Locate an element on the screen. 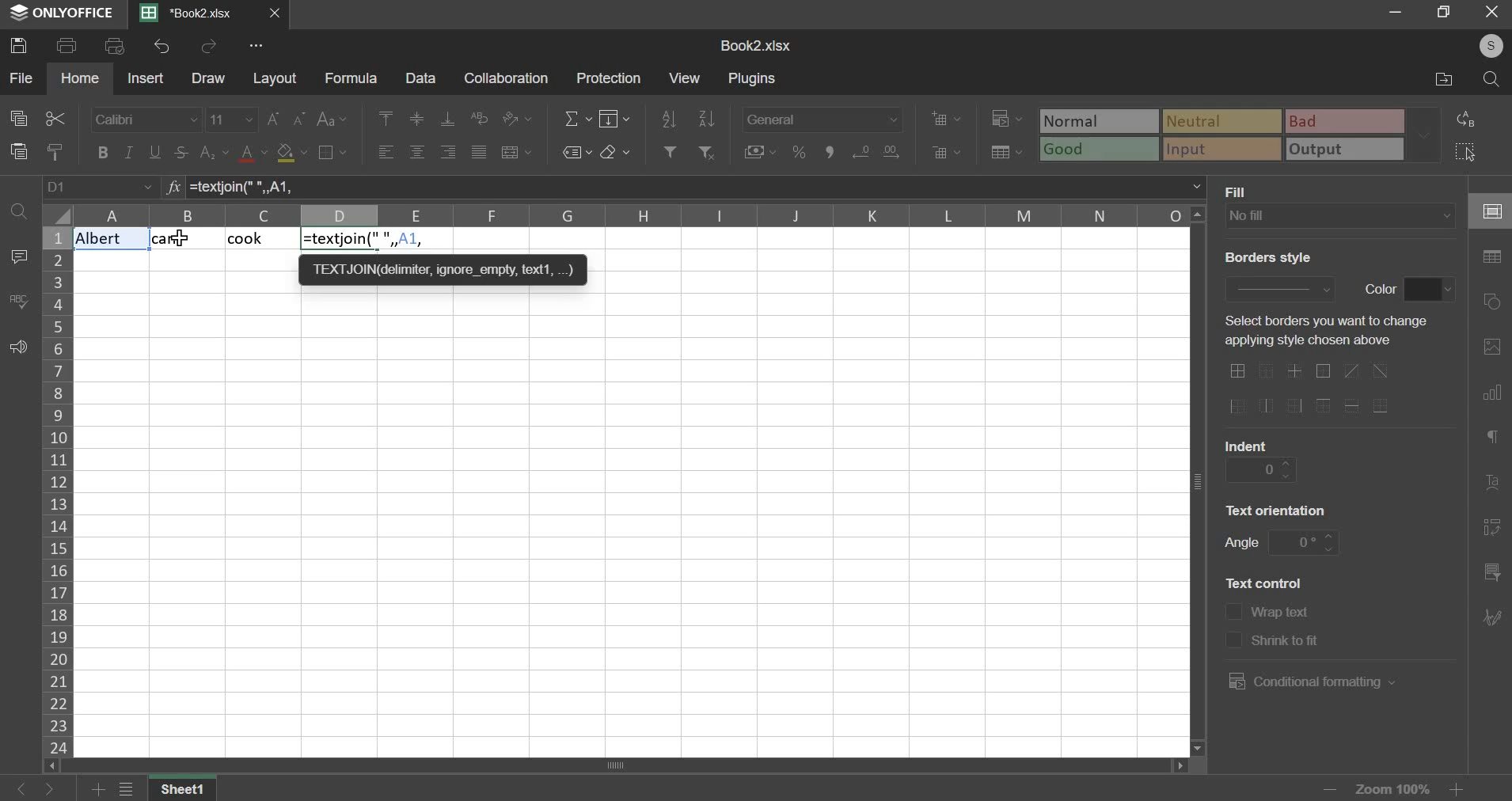  sum is located at coordinates (578, 117).